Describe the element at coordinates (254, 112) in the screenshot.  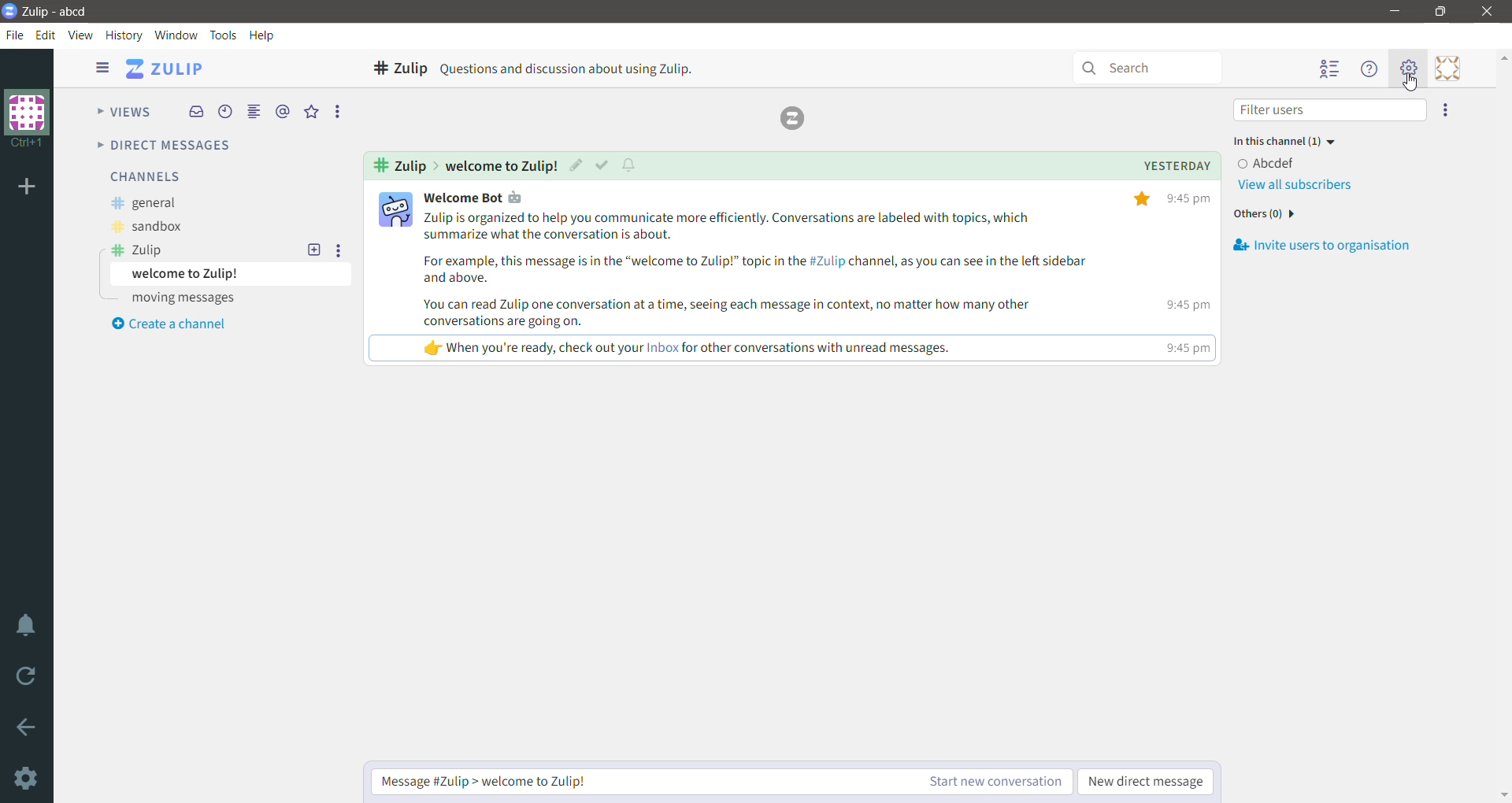
I see `Combined feed` at that location.